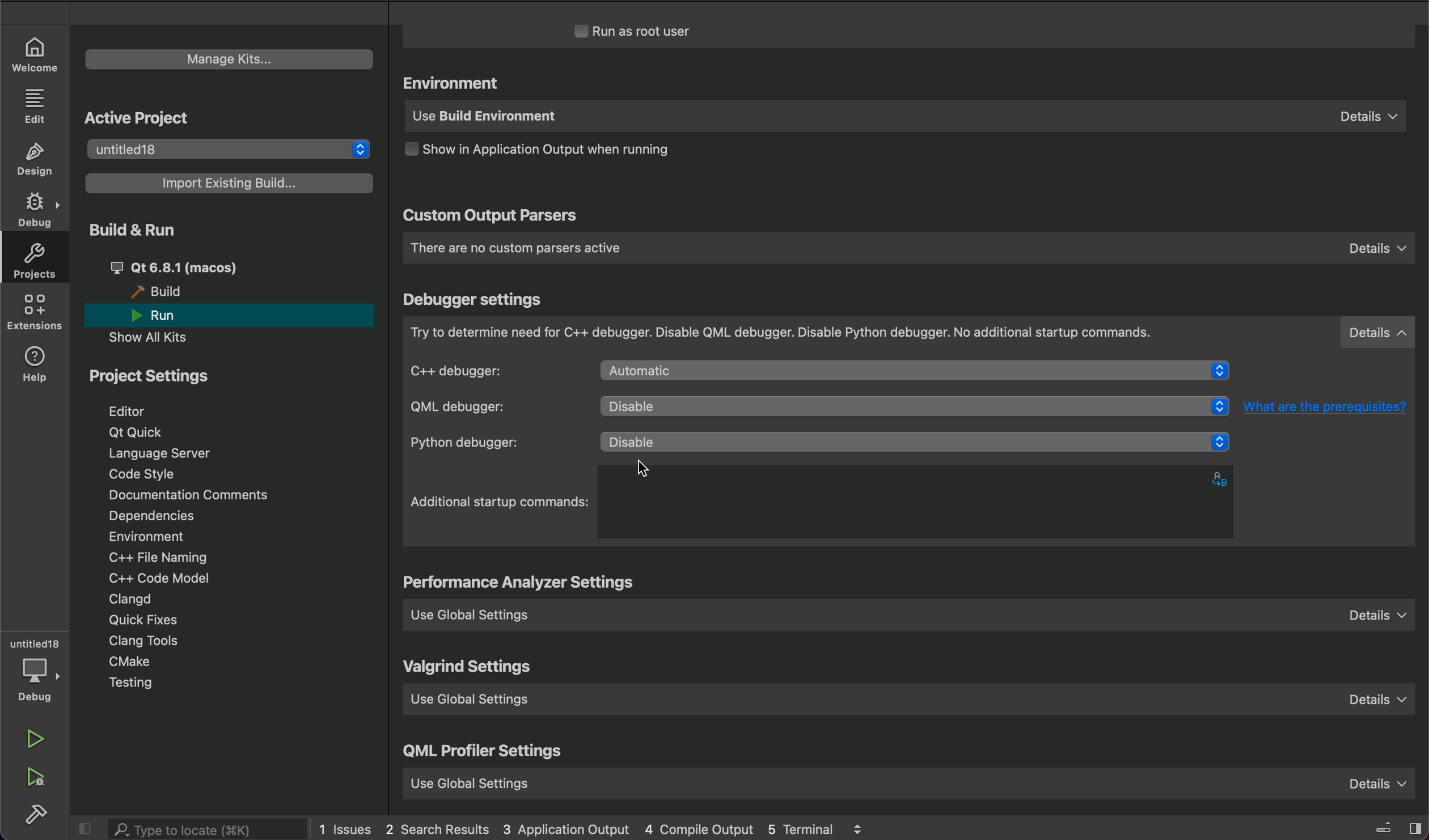  Describe the element at coordinates (907, 780) in the screenshot. I see `use global ` at that location.